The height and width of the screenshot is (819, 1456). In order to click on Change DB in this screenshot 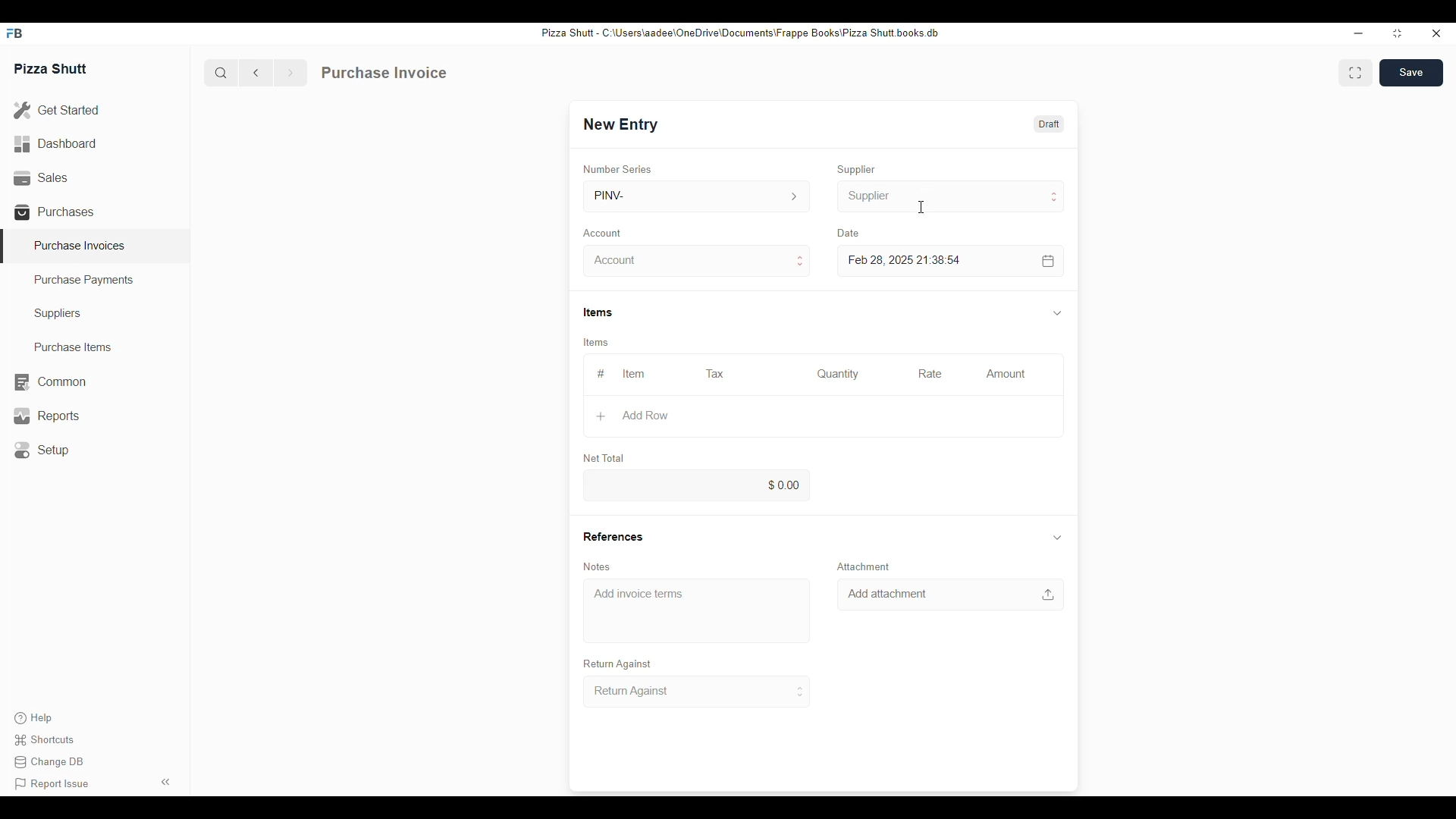, I will do `click(52, 764)`.